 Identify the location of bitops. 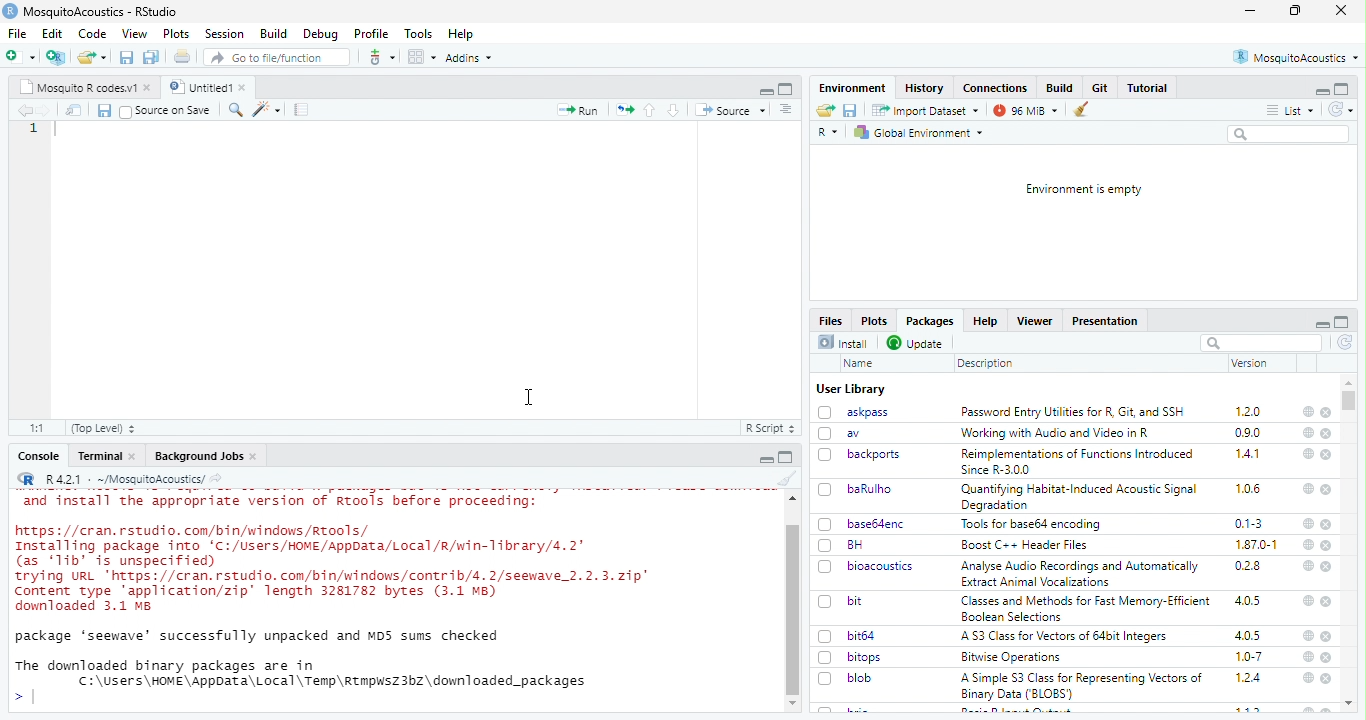
(866, 657).